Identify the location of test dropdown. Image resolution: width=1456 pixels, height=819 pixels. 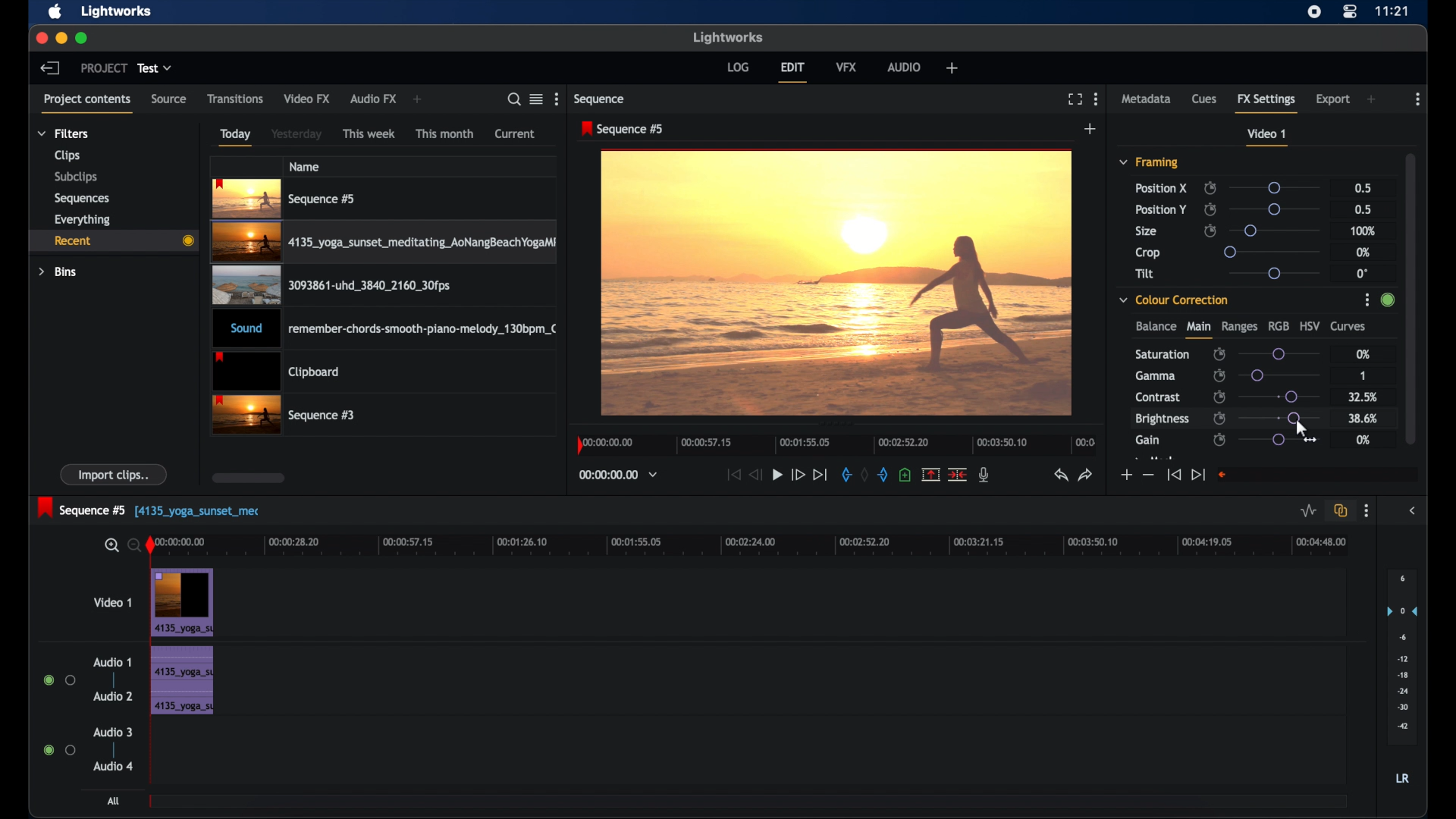
(155, 67).